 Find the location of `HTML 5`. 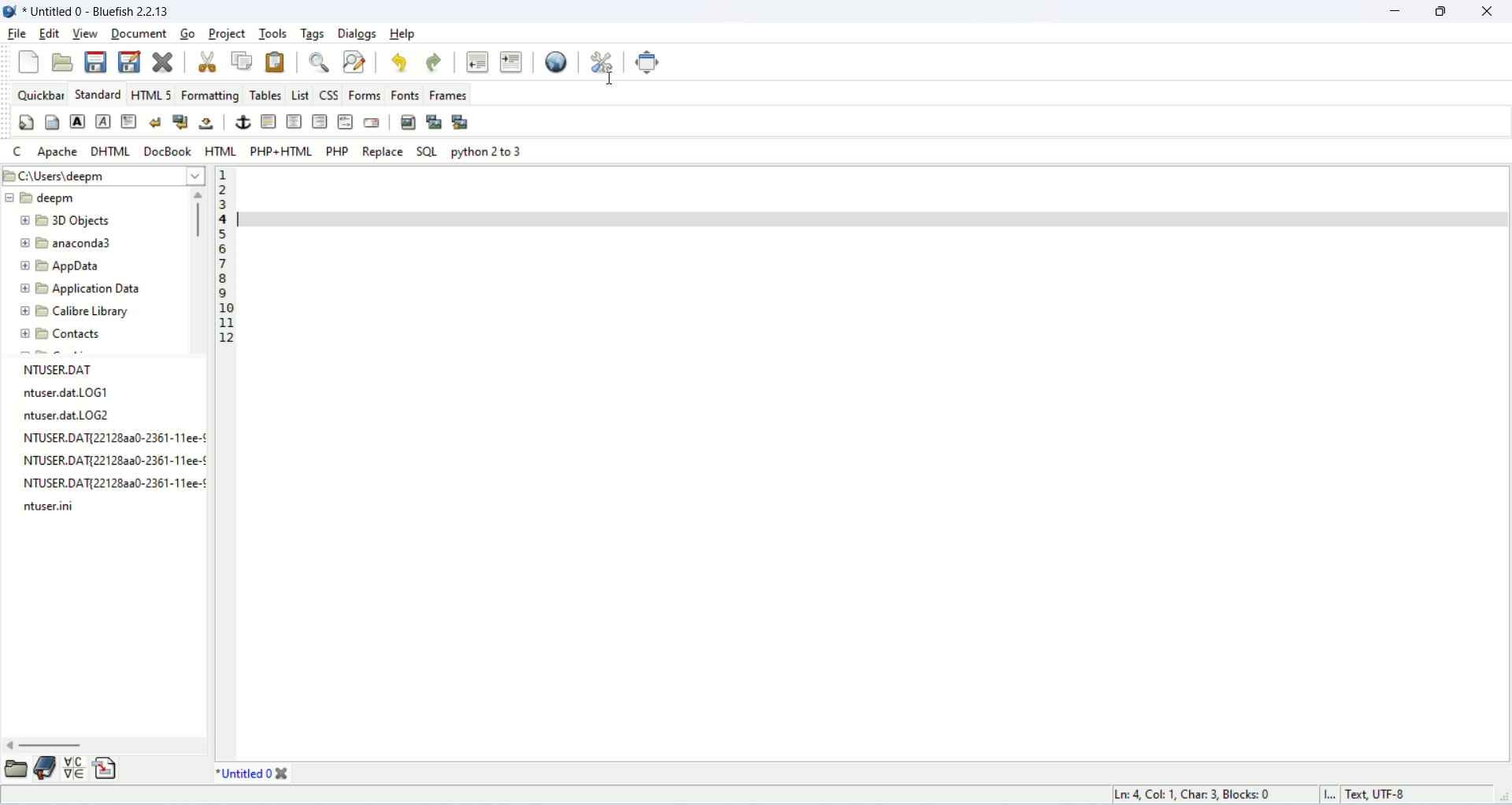

HTML 5 is located at coordinates (154, 94).